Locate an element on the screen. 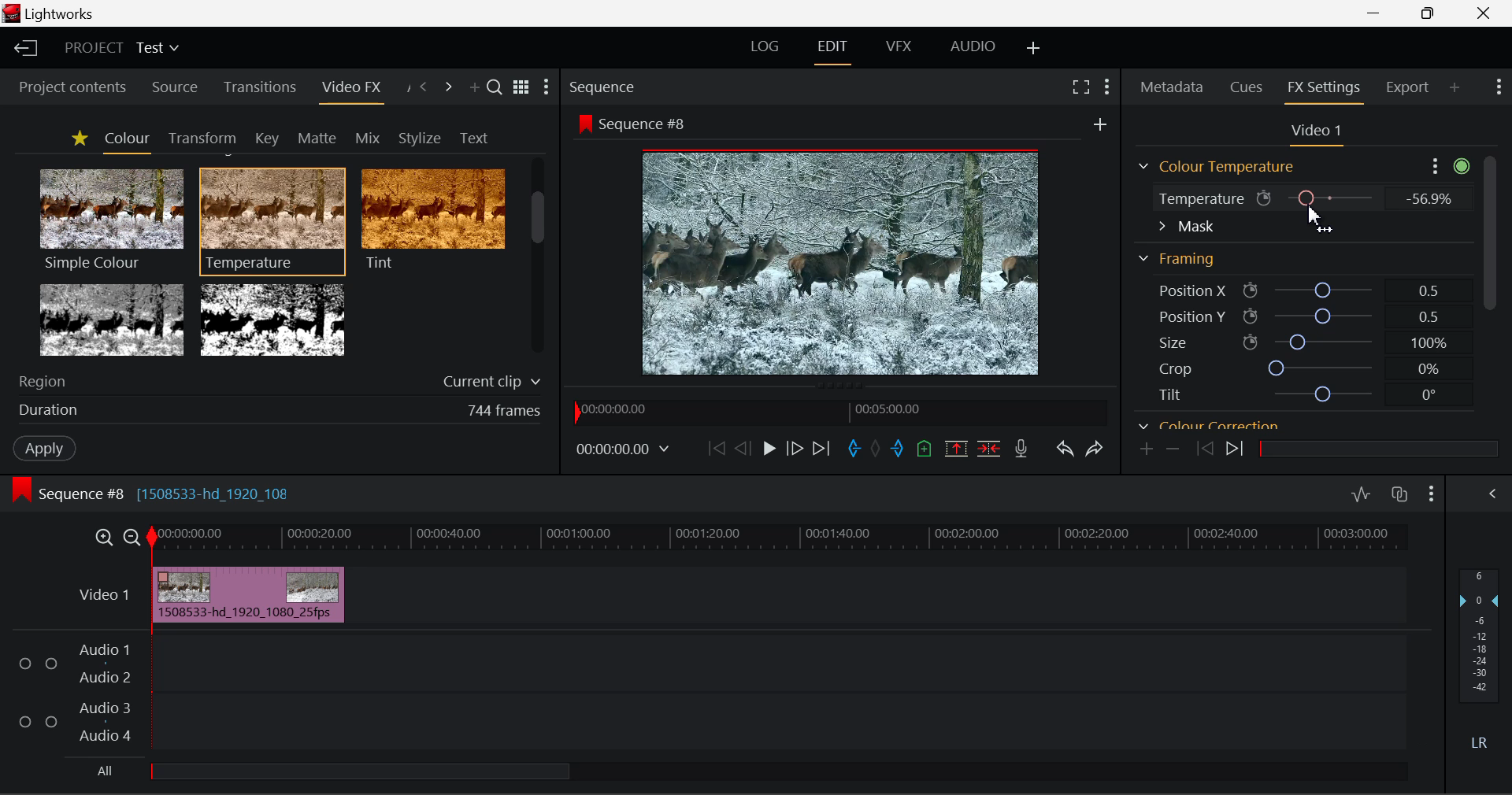  Sequence Preview Screen is located at coordinates (844, 261).